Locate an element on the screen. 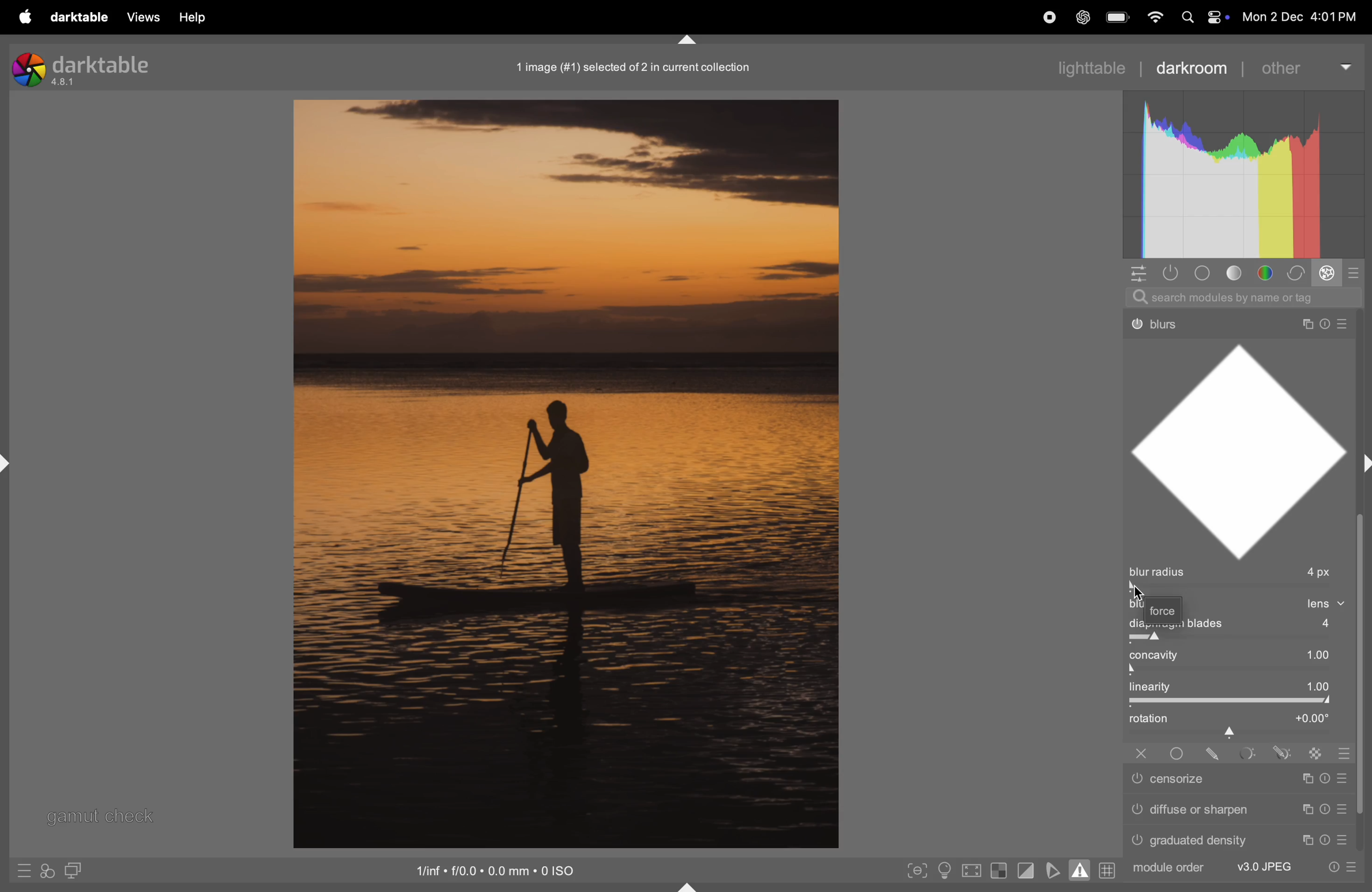 The width and height of the screenshot is (1372, 892). histogram is located at coordinates (1242, 176).